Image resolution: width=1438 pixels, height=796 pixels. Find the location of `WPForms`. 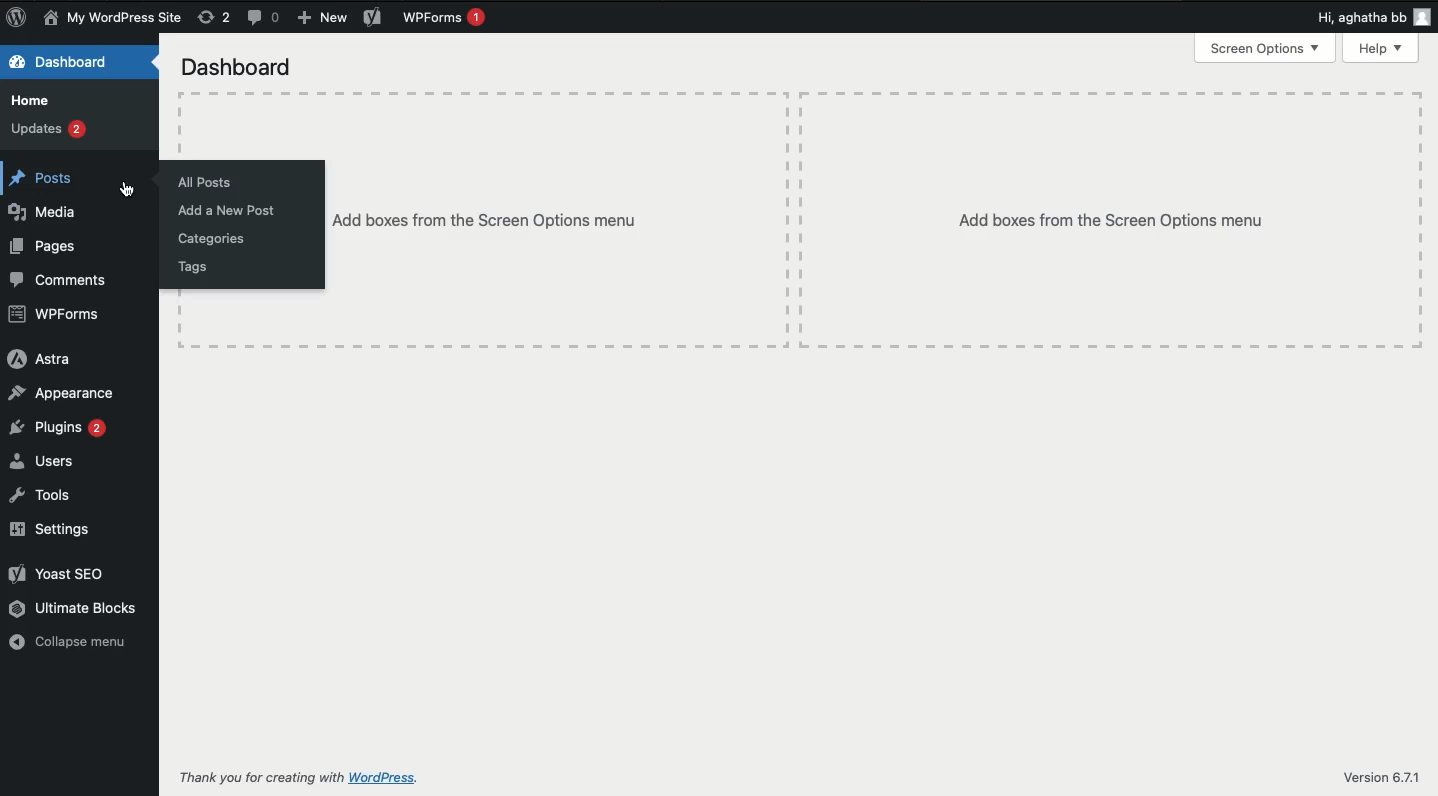

WPForms is located at coordinates (57, 315).